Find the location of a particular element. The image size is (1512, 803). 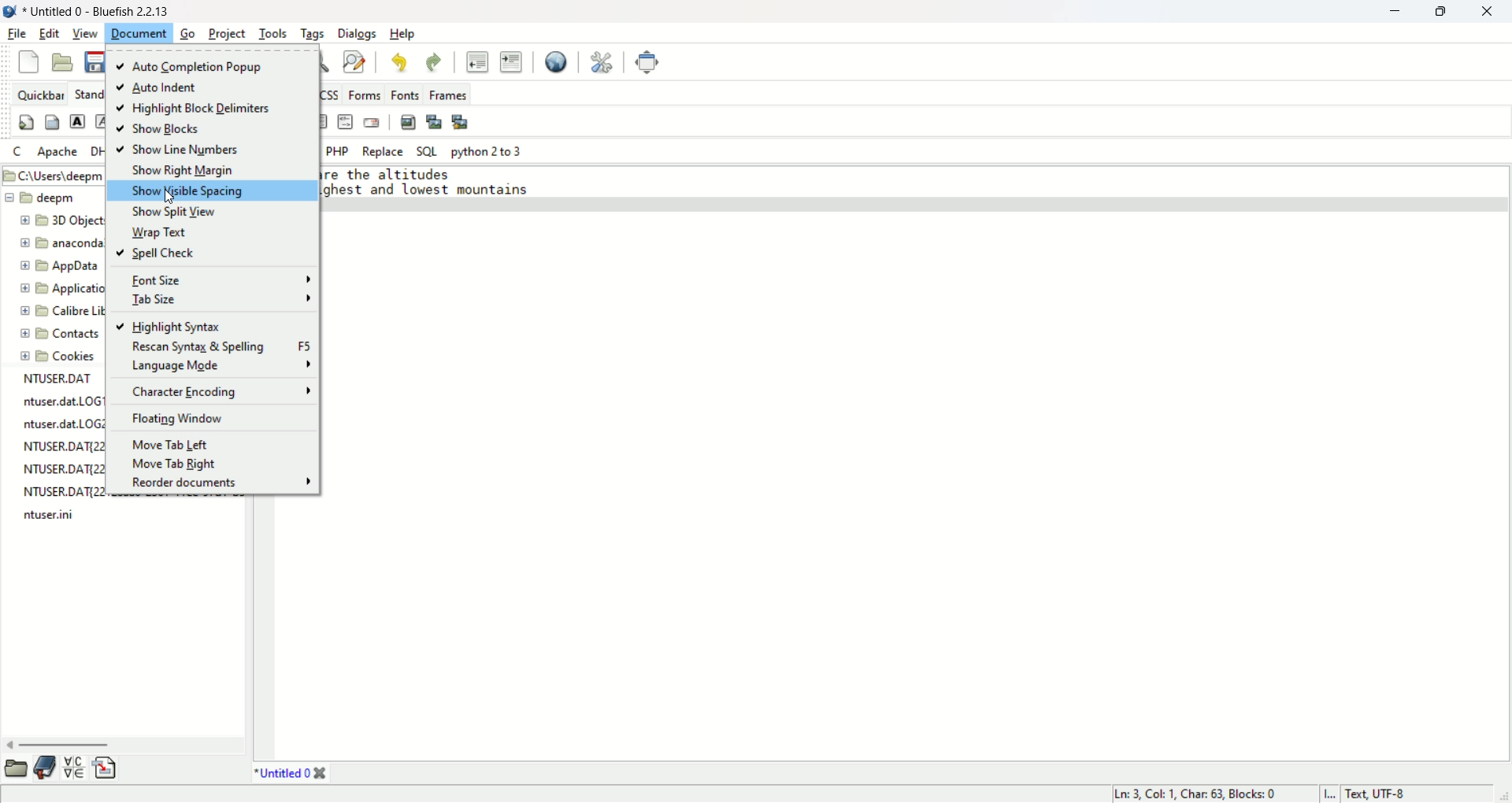

tab size is located at coordinates (221, 298).